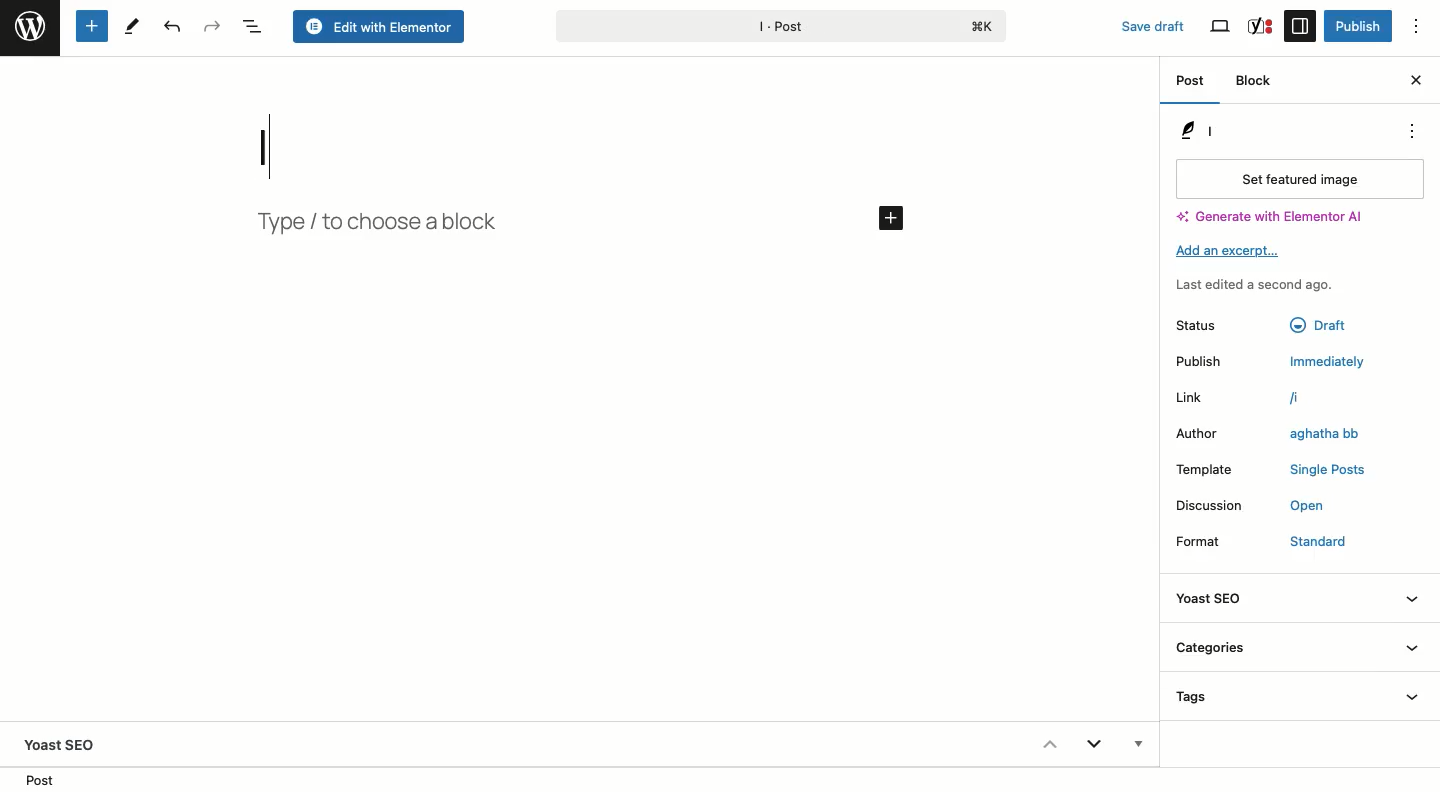  What do you see at coordinates (1094, 747) in the screenshot?
I see `Expand` at bounding box center [1094, 747].